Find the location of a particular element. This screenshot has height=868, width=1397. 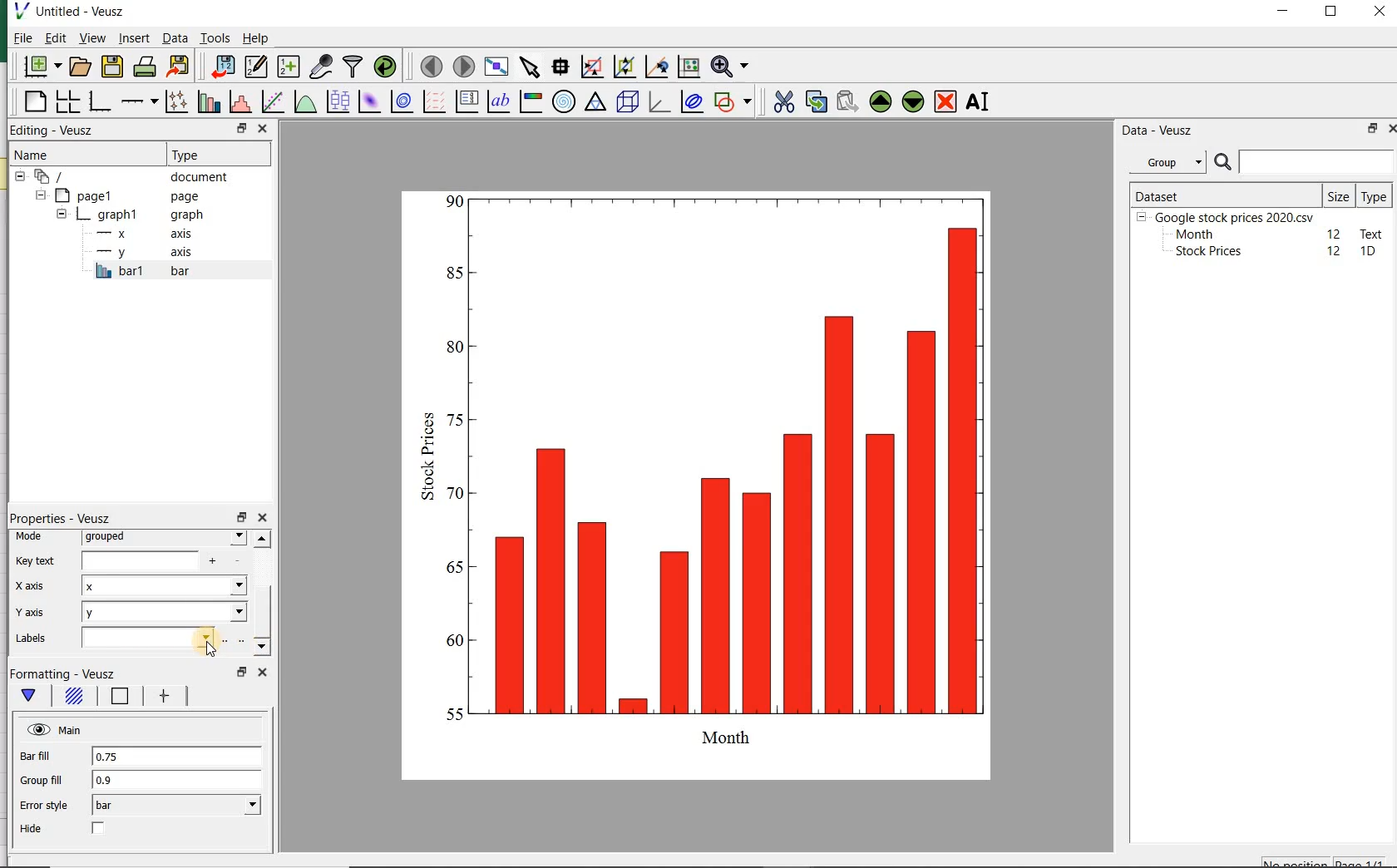

Data is located at coordinates (175, 40).